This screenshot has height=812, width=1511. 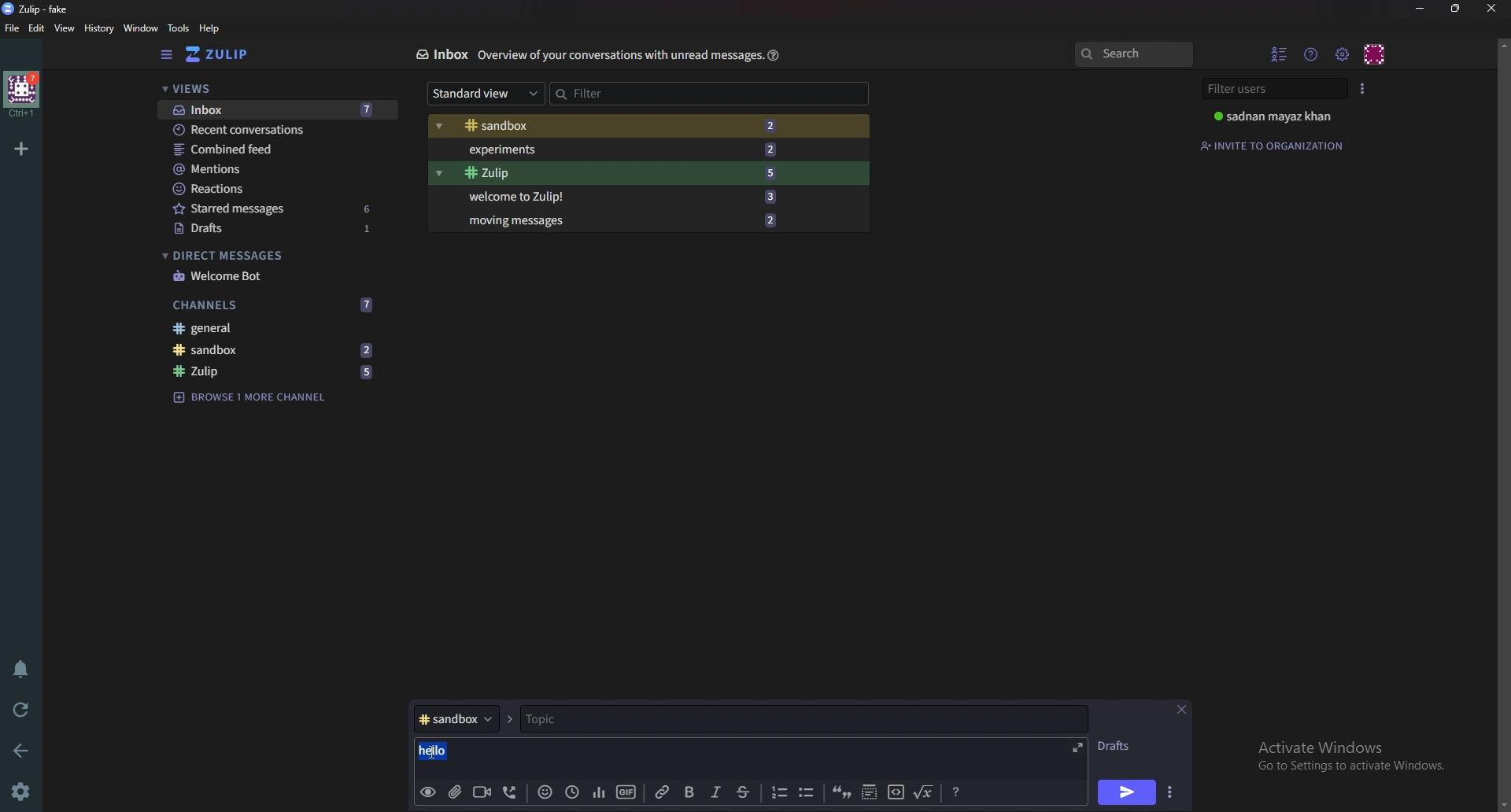 What do you see at coordinates (454, 749) in the screenshot?
I see `hello` at bounding box center [454, 749].